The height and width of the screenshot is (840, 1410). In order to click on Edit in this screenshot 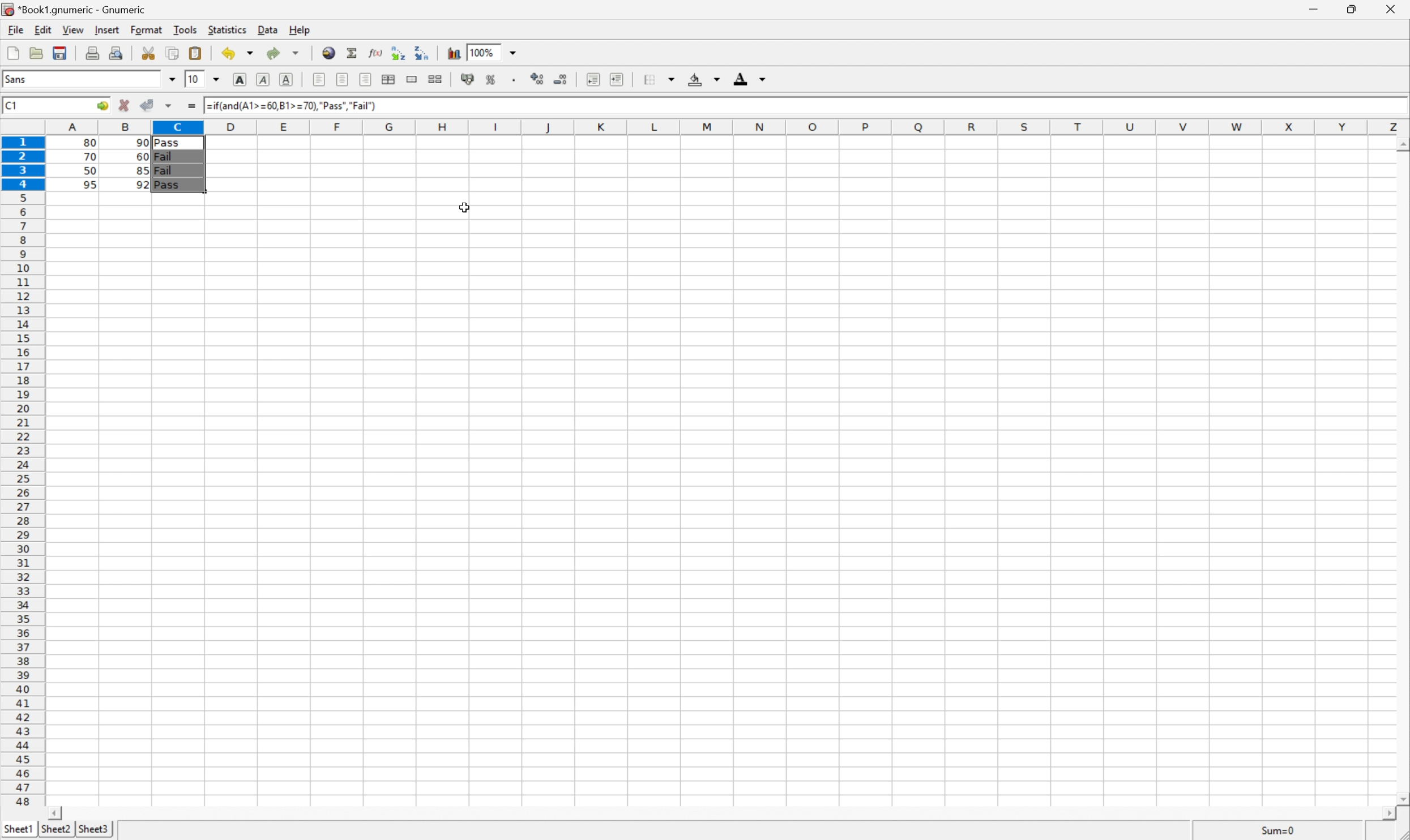, I will do `click(42, 31)`.